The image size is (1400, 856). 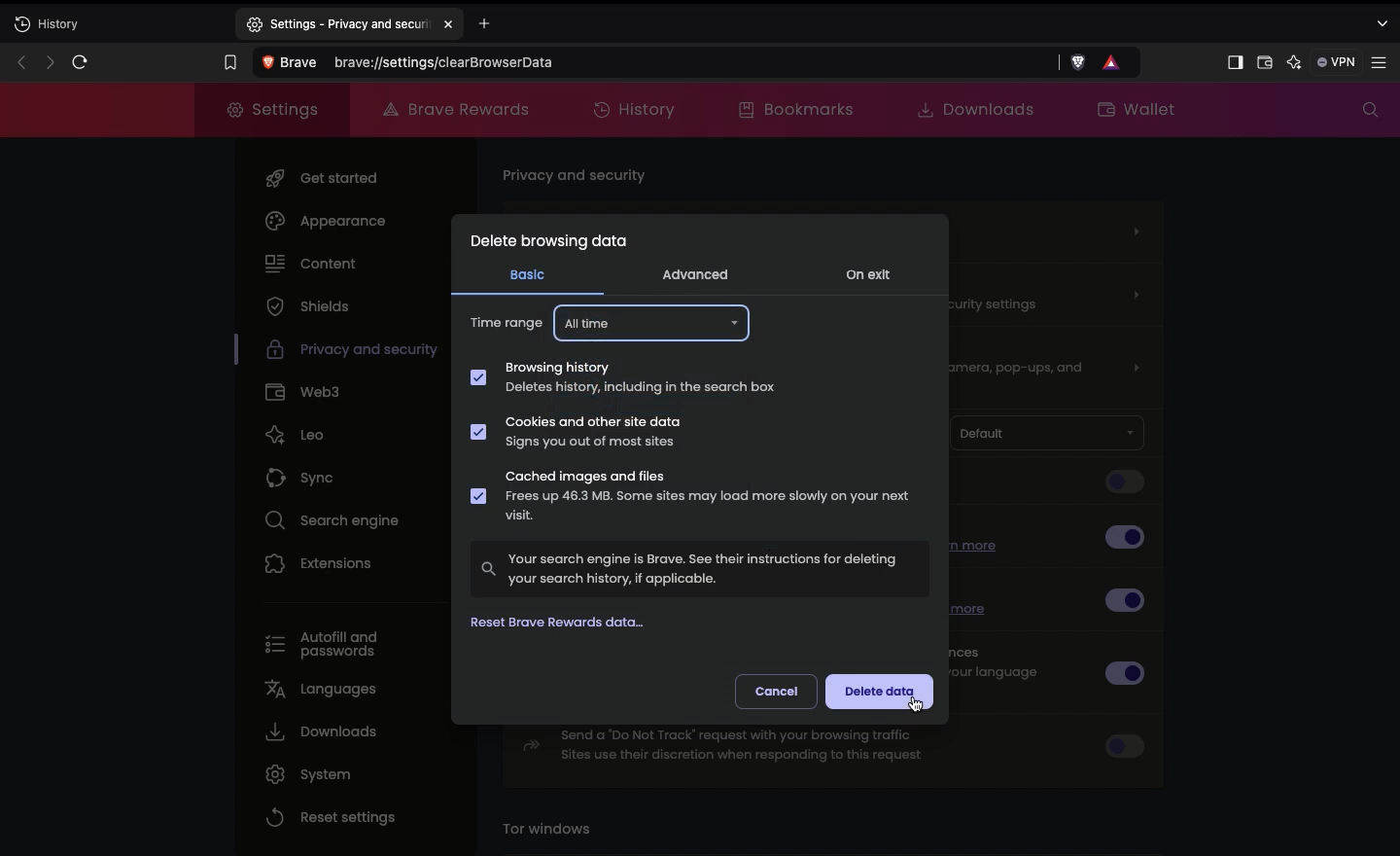 I want to click on AI, so click(x=1292, y=62).